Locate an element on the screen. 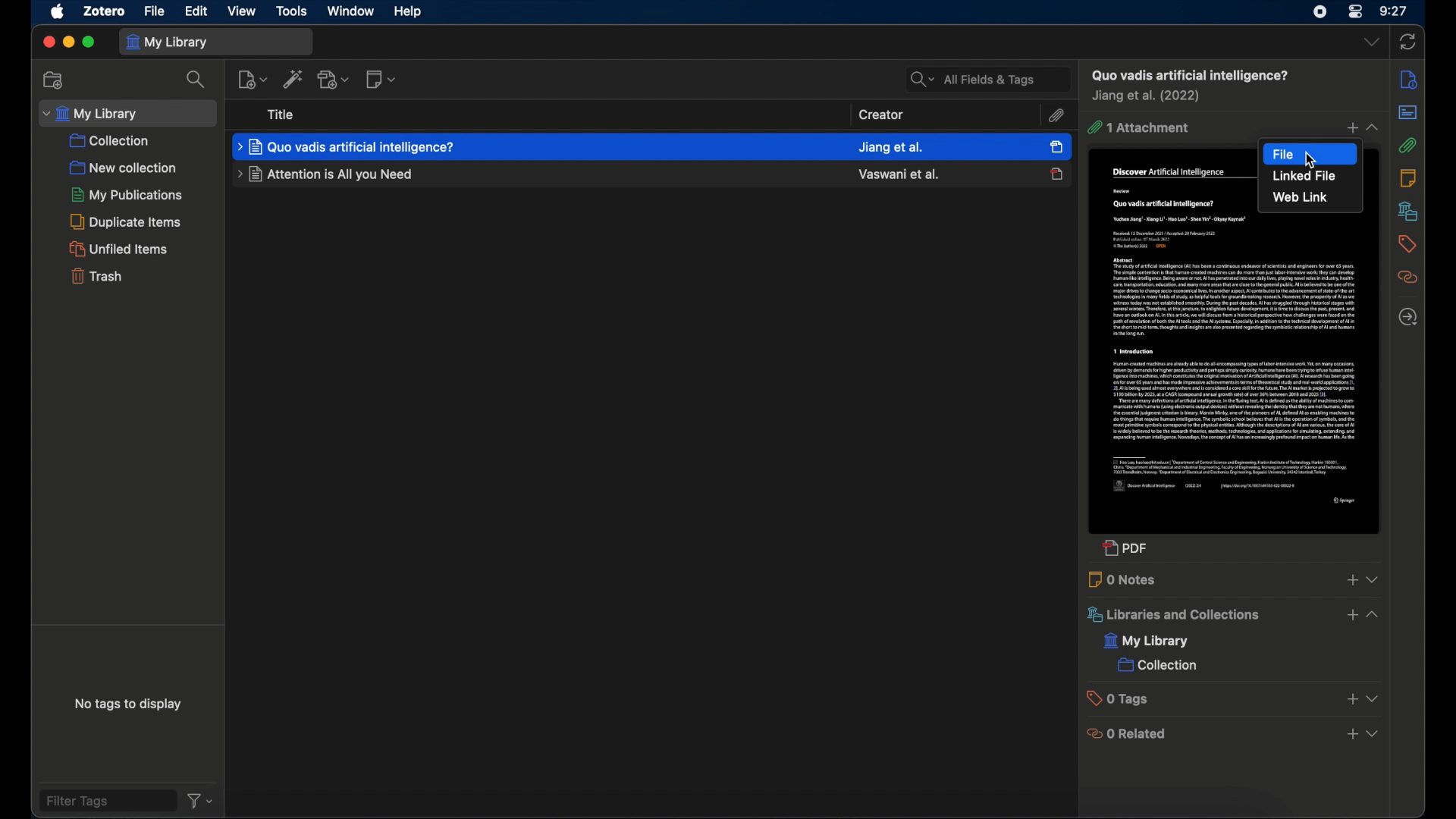  trash is located at coordinates (96, 278).